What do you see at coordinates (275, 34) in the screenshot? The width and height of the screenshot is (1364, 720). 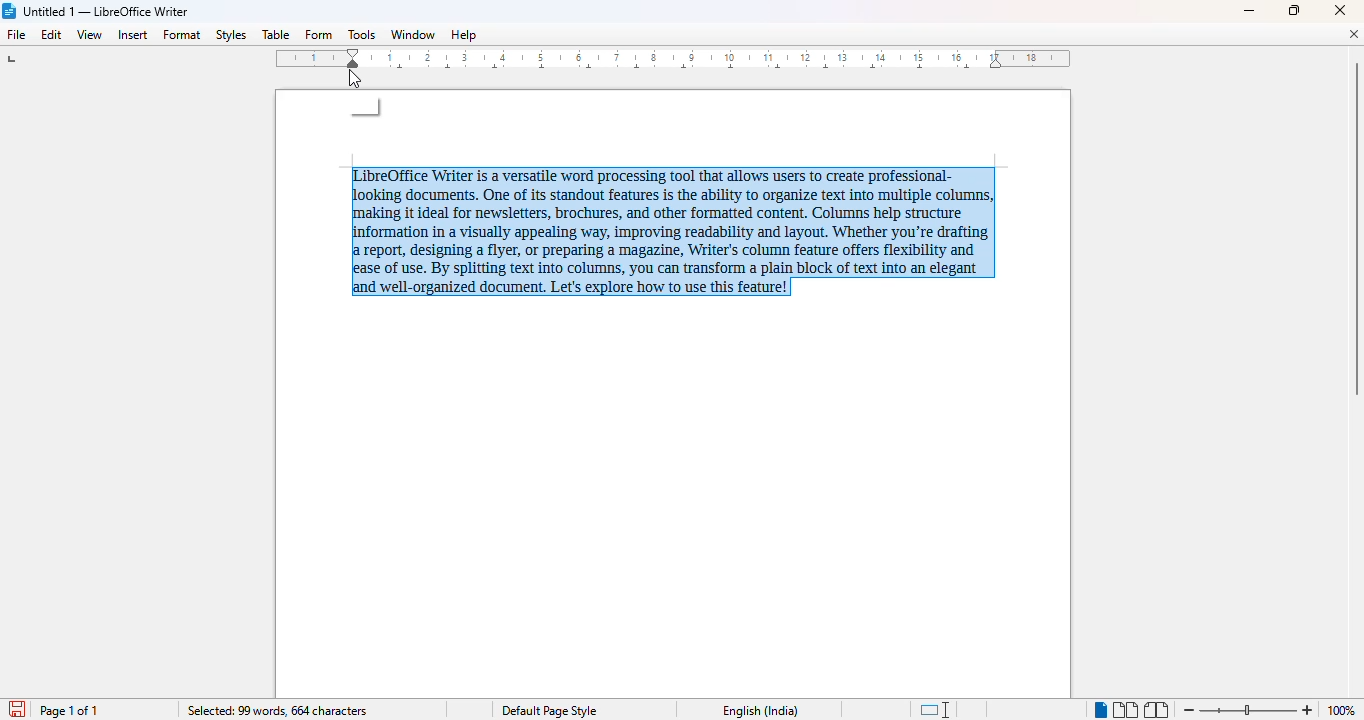 I see `table` at bounding box center [275, 34].